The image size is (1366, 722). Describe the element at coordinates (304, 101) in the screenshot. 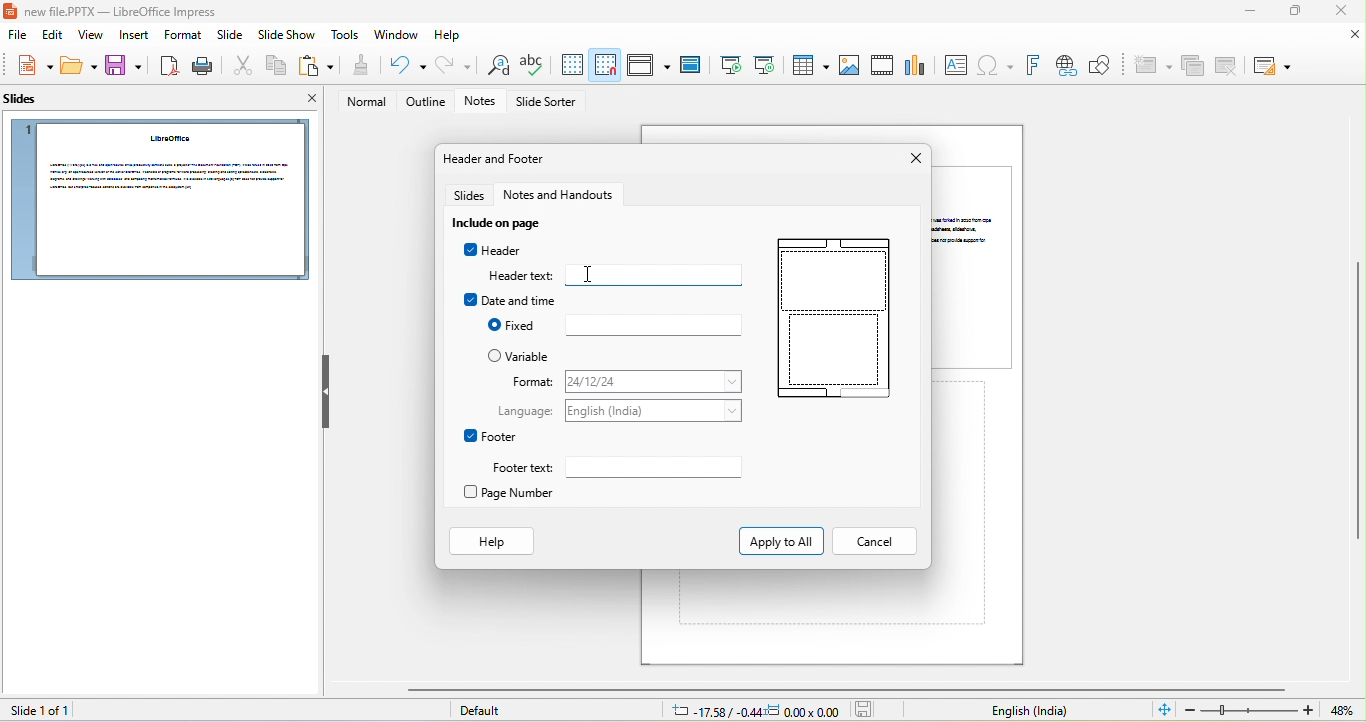

I see `close` at that location.